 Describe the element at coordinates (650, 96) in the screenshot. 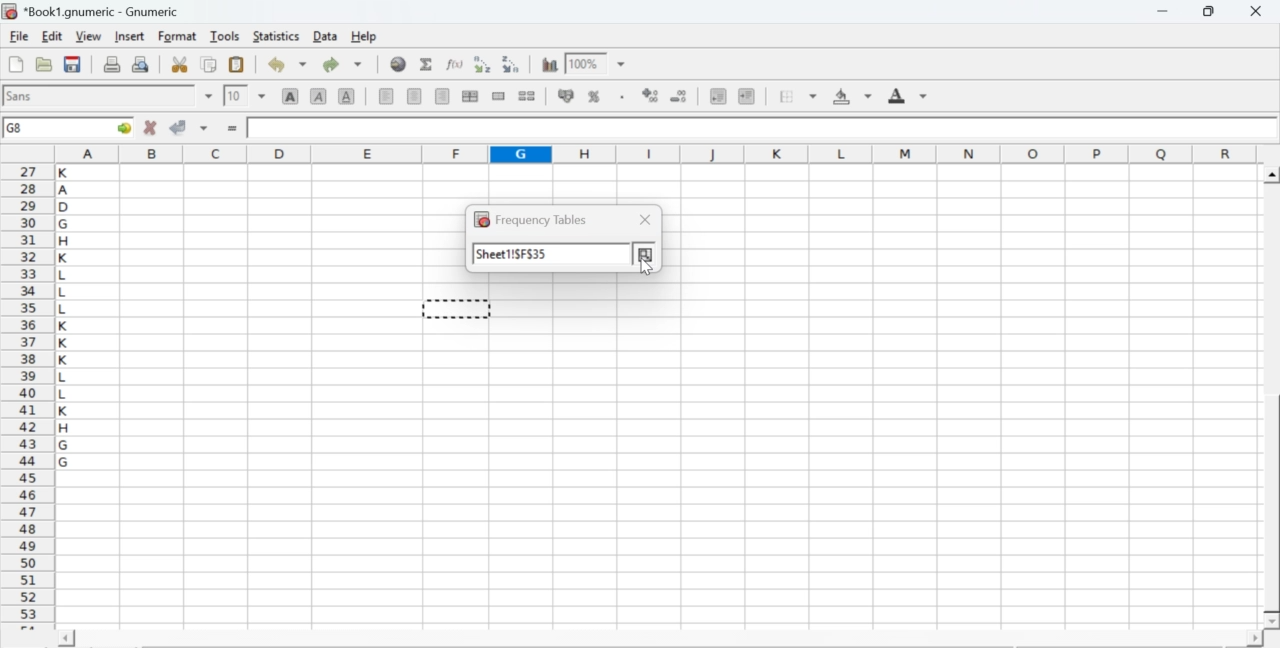

I see `decrease number of decimals displayed` at that location.